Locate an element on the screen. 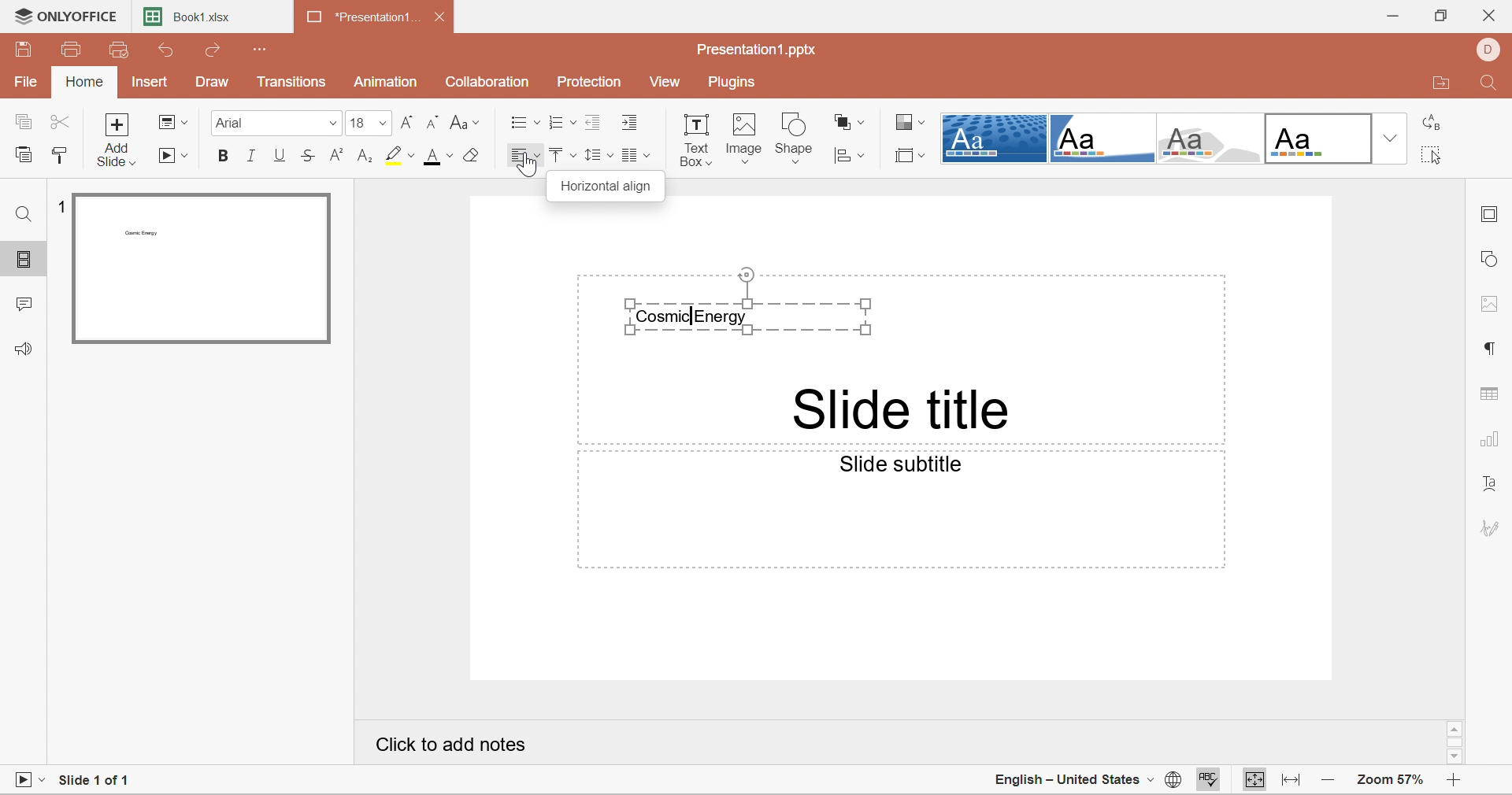  Image is located at coordinates (746, 139).